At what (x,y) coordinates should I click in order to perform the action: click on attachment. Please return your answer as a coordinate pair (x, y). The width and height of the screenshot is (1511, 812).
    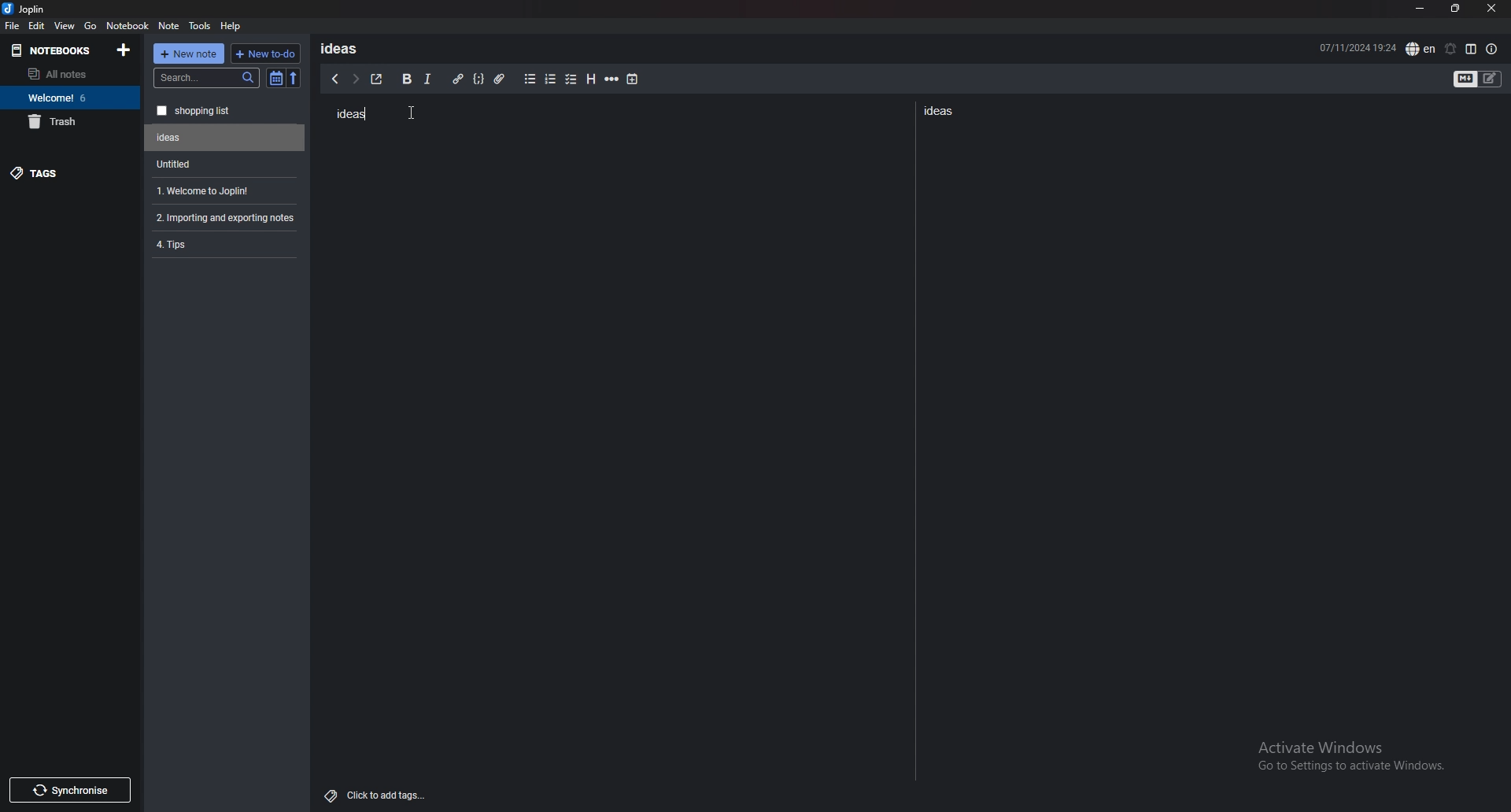
    Looking at the image, I should click on (500, 79).